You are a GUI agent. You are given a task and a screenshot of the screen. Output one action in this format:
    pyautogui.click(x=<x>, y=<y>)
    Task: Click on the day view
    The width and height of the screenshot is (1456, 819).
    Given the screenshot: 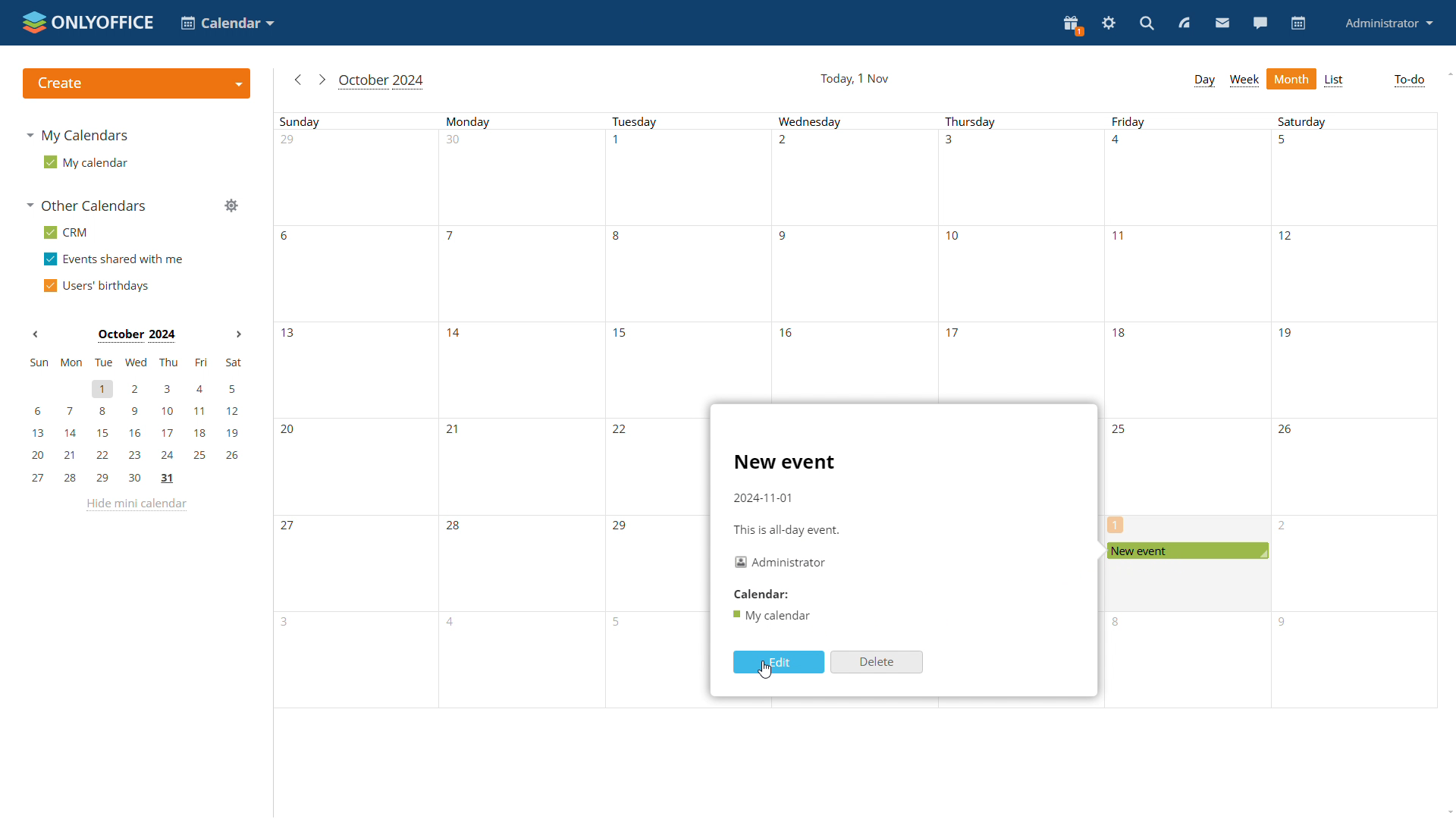 What is the action you would take?
    pyautogui.click(x=1204, y=80)
    